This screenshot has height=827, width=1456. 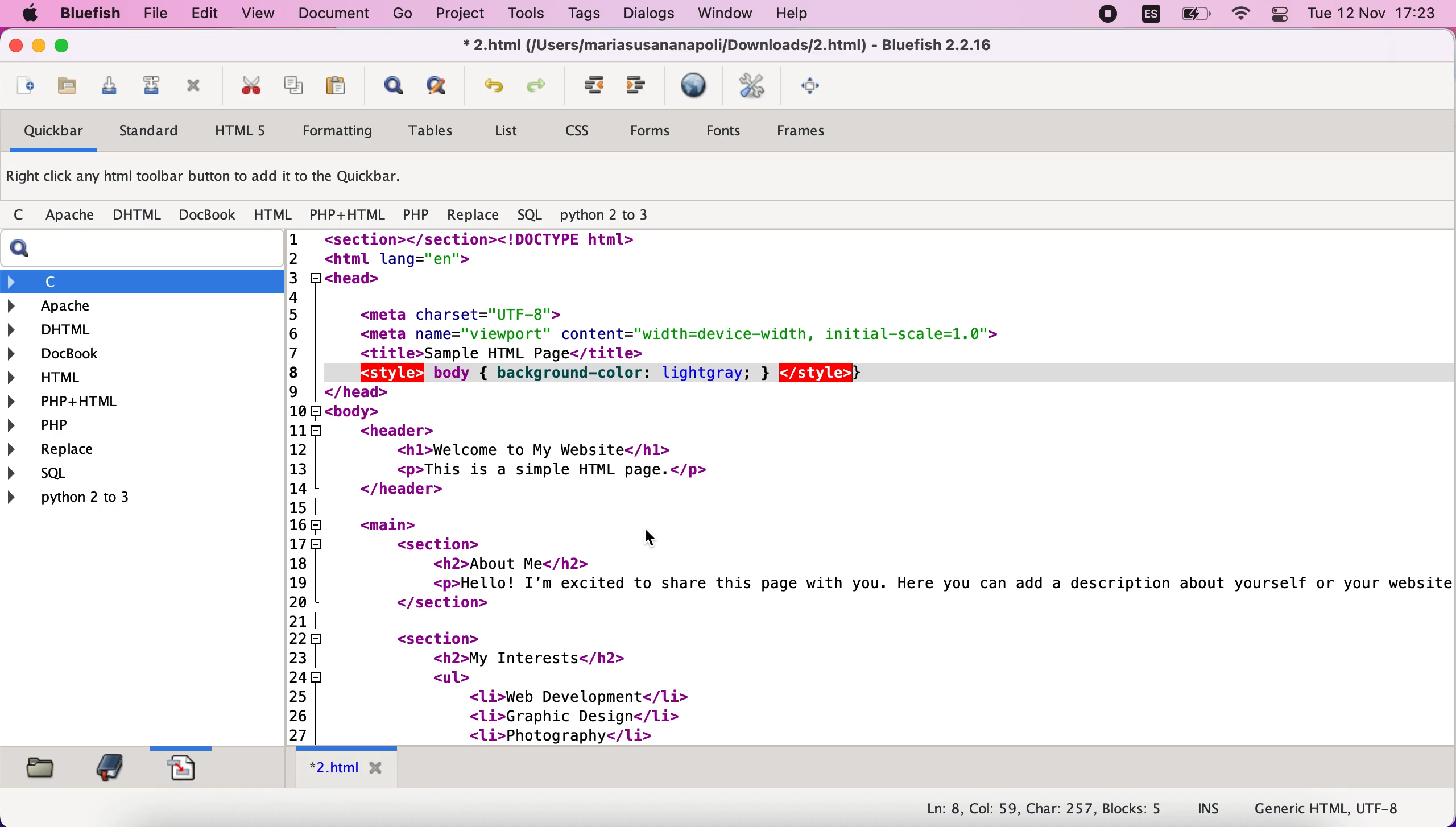 I want to click on replace, so click(x=98, y=450).